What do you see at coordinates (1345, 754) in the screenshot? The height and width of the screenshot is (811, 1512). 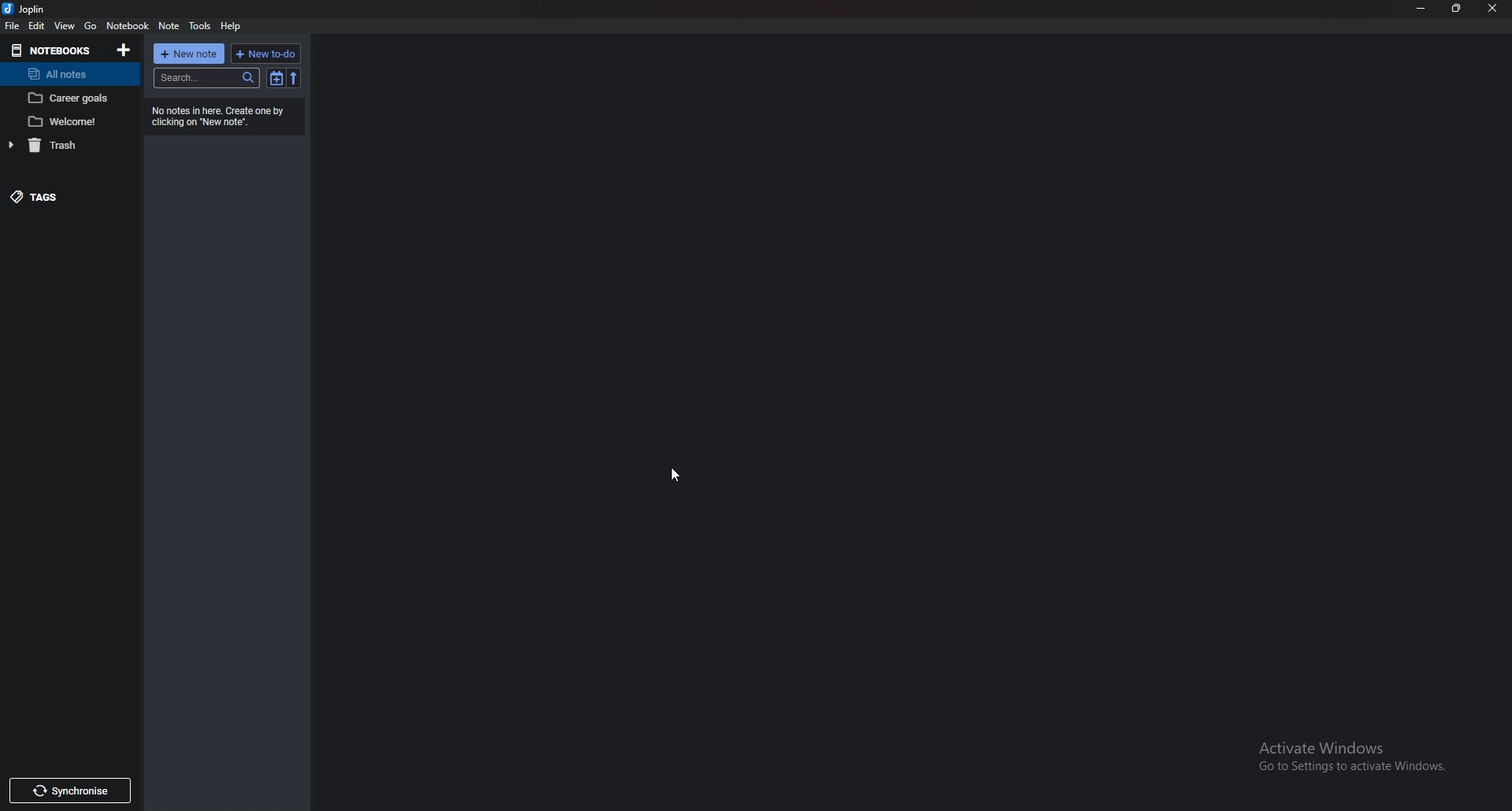 I see `Activate Windows` at bounding box center [1345, 754].